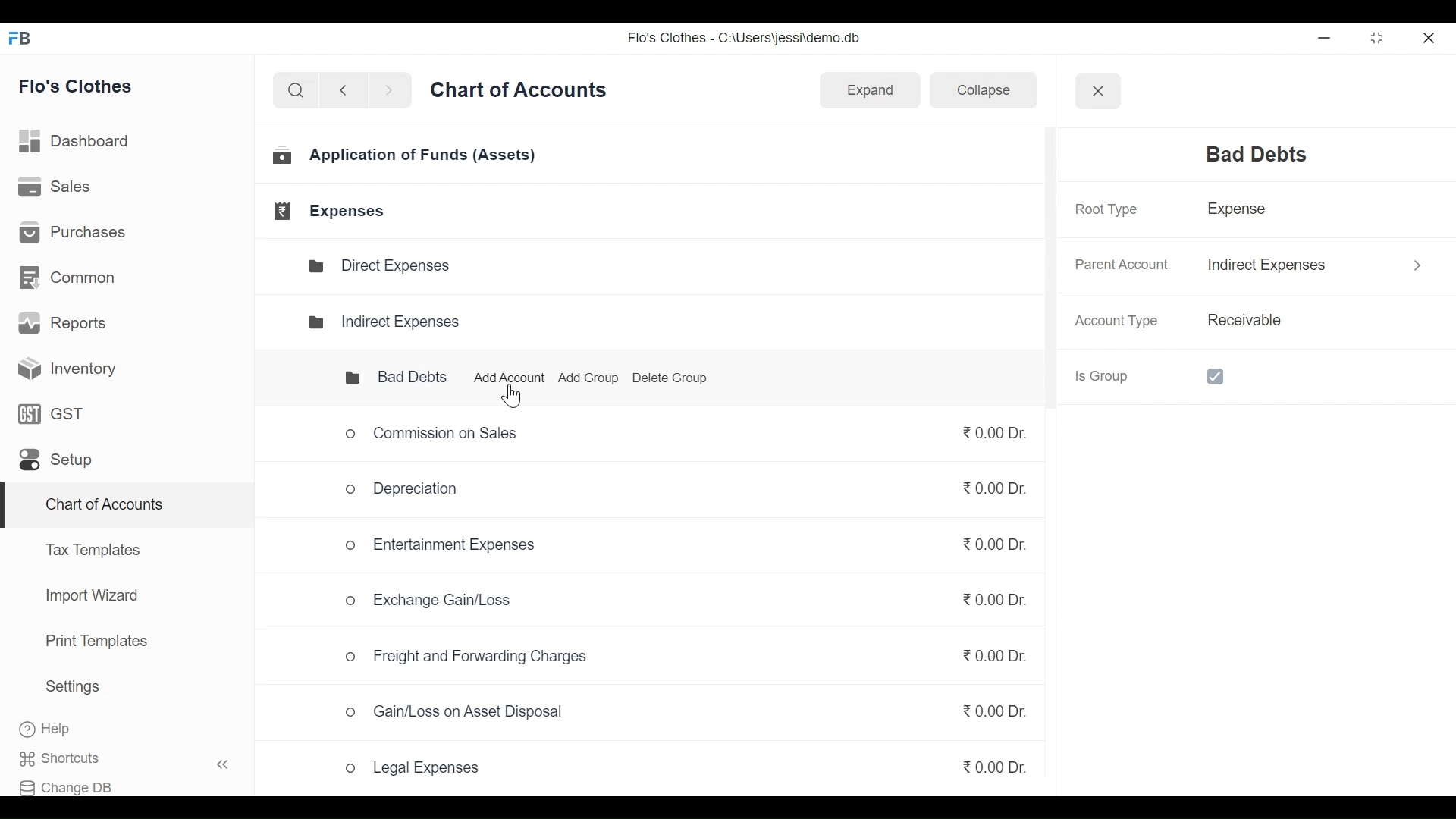 The image size is (1456, 819). Describe the element at coordinates (387, 266) in the screenshot. I see `Direct Expenses` at that location.